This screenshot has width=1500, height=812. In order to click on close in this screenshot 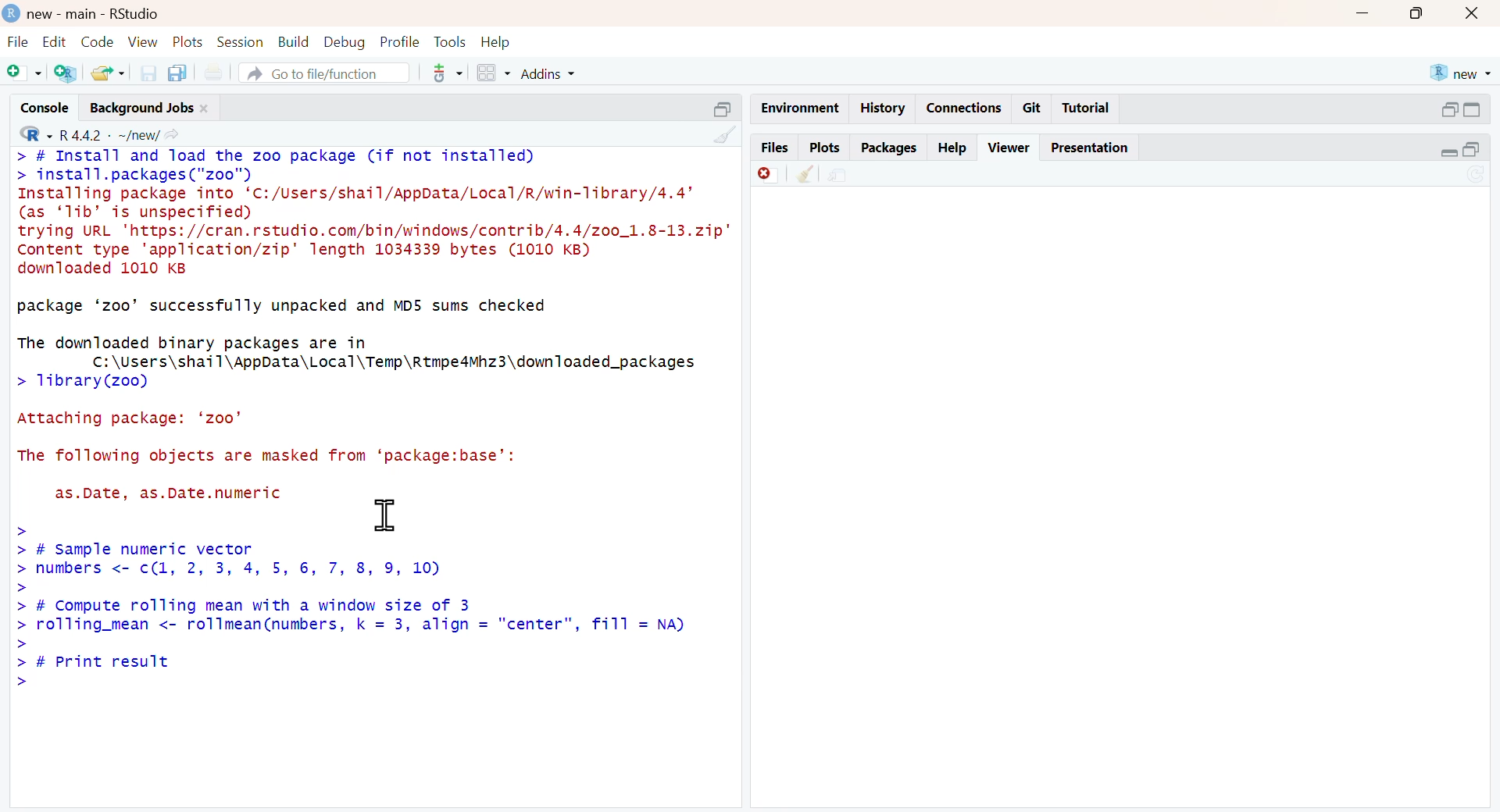, I will do `click(205, 109)`.